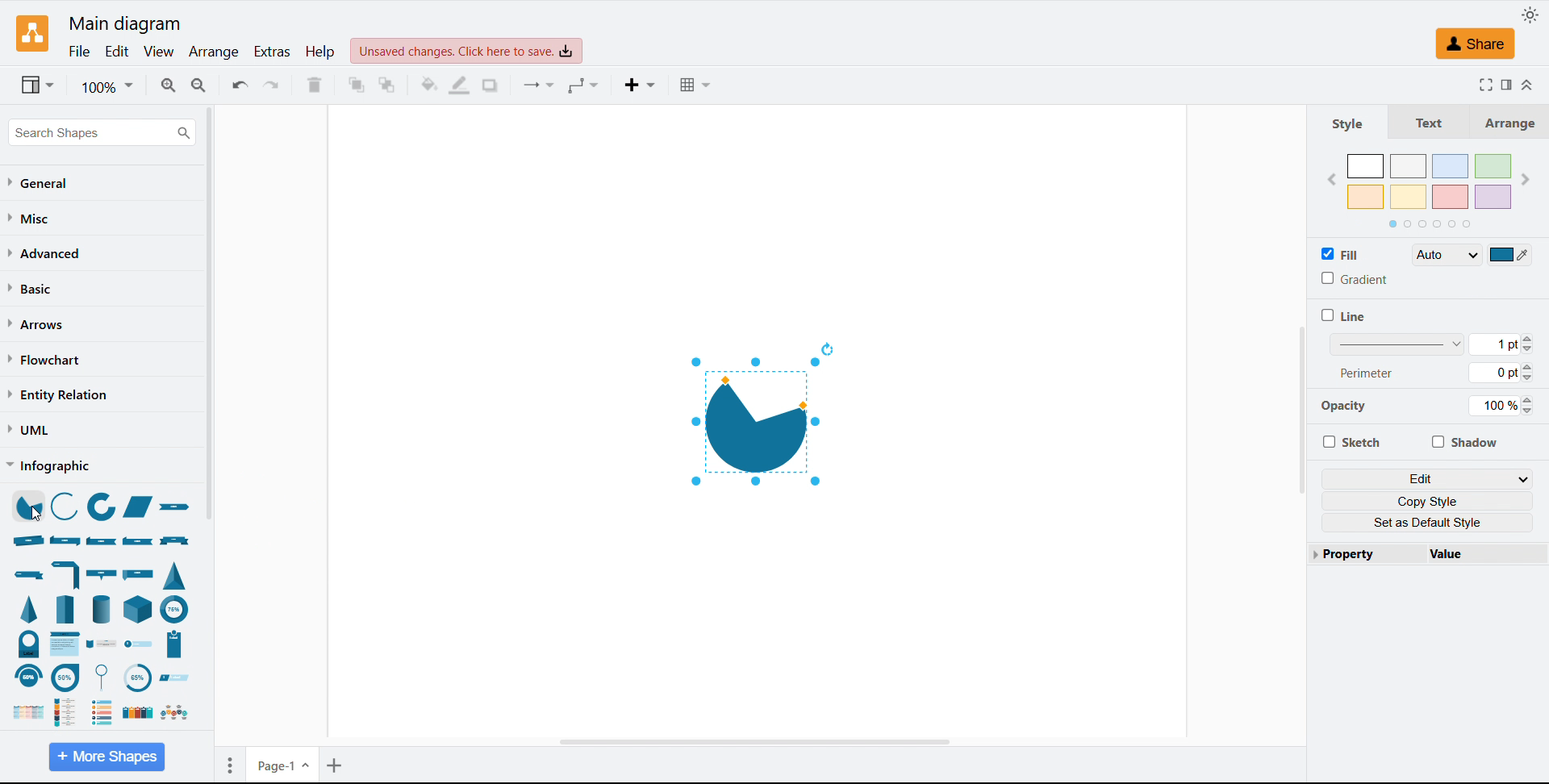 The height and width of the screenshot is (784, 1549). Describe the element at coordinates (1485, 85) in the screenshot. I see `Full screen ` at that location.